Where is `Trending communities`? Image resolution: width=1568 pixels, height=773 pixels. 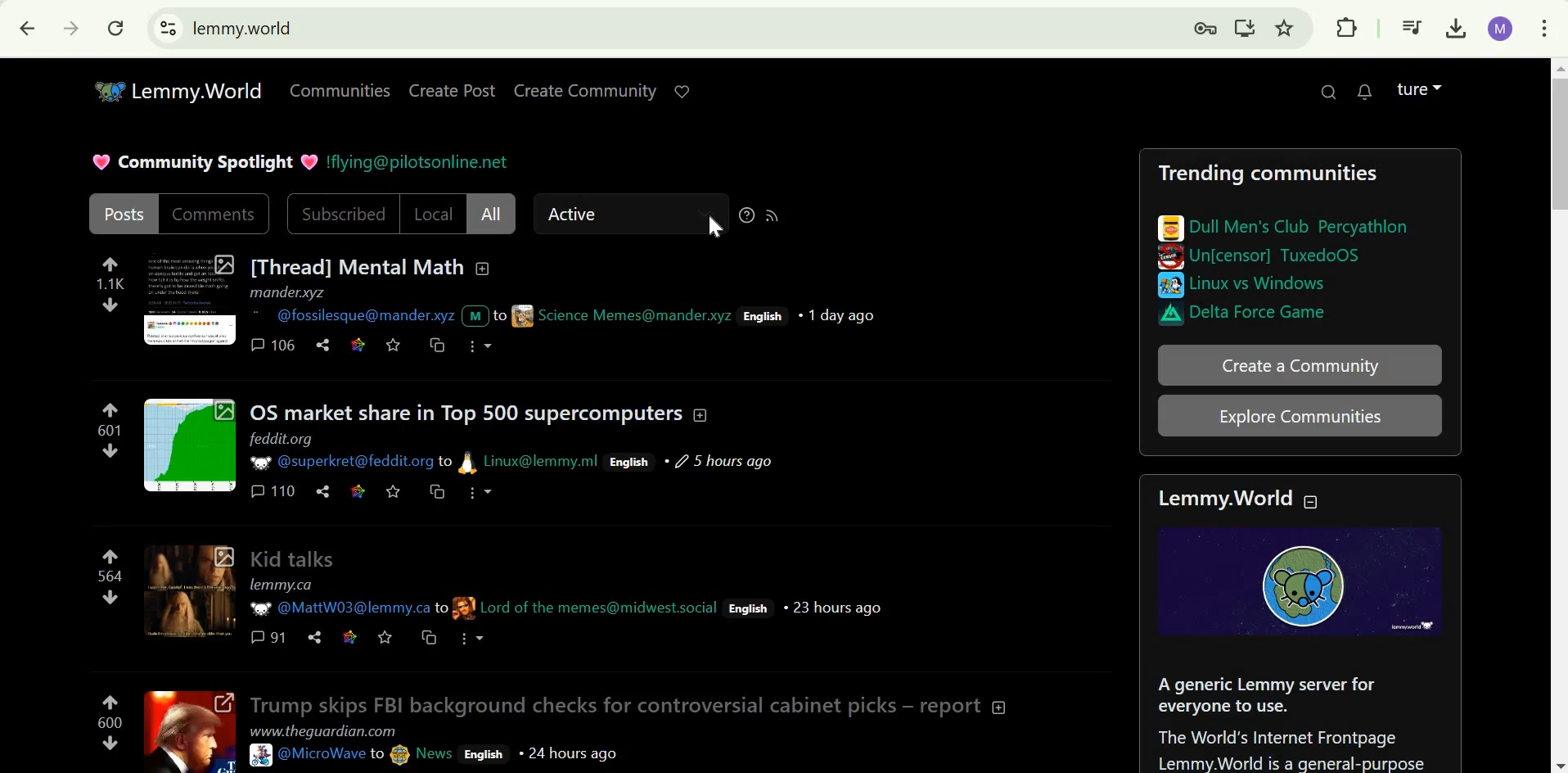 Trending communities is located at coordinates (1268, 172).